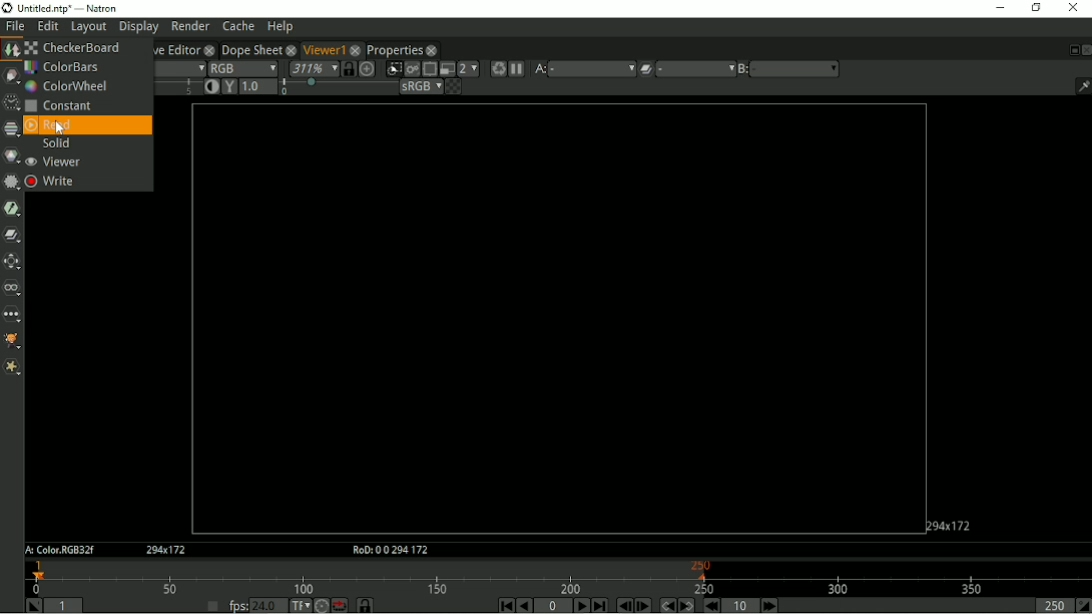  What do you see at coordinates (269, 605) in the screenshot?
I see `24` at bounding box center [269, 605].